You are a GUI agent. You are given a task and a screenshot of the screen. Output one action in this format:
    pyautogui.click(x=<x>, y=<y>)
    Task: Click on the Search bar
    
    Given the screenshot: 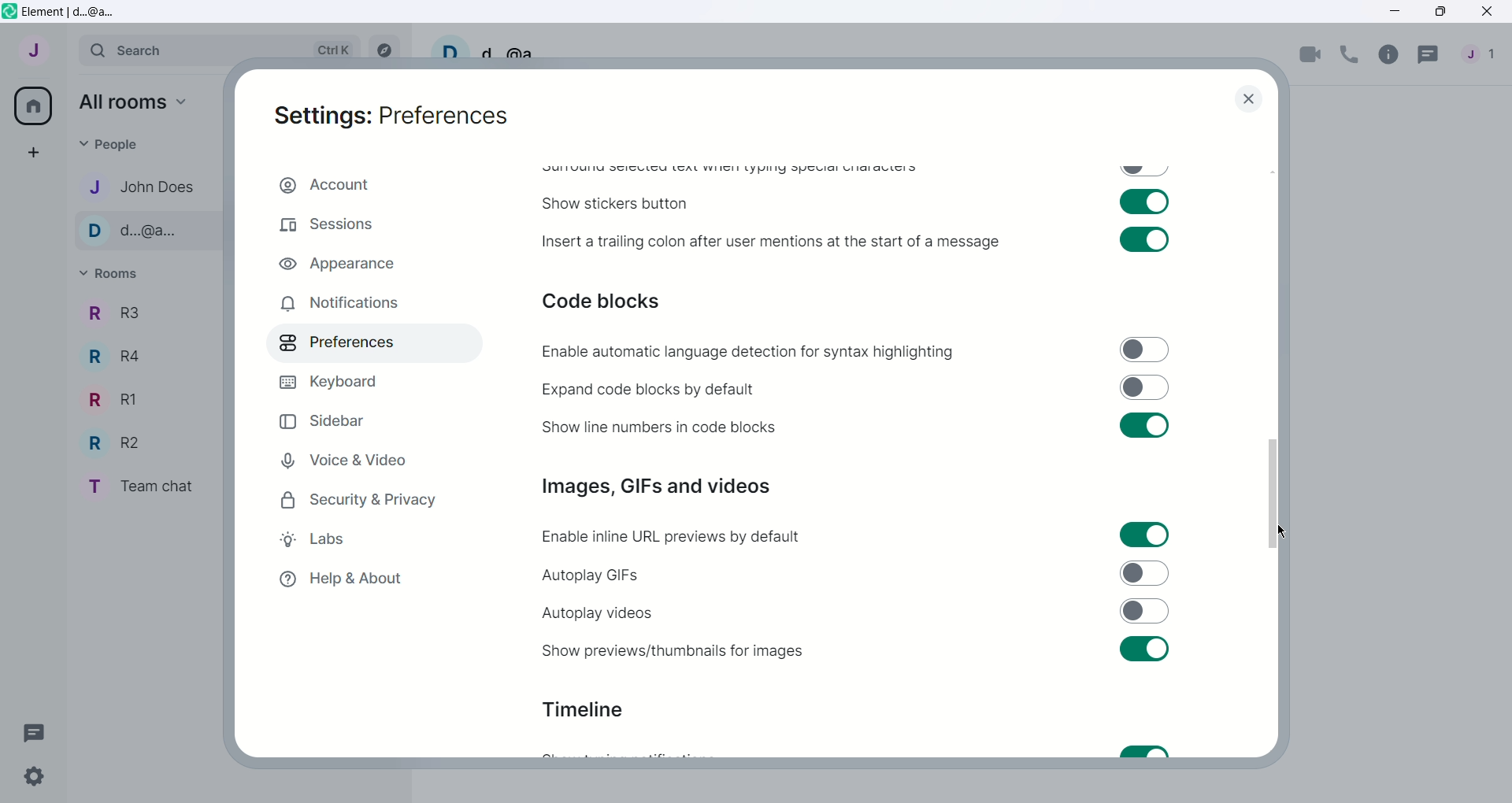 What is the action you would take?
    pyautogui.click(x=219, y=50)
    